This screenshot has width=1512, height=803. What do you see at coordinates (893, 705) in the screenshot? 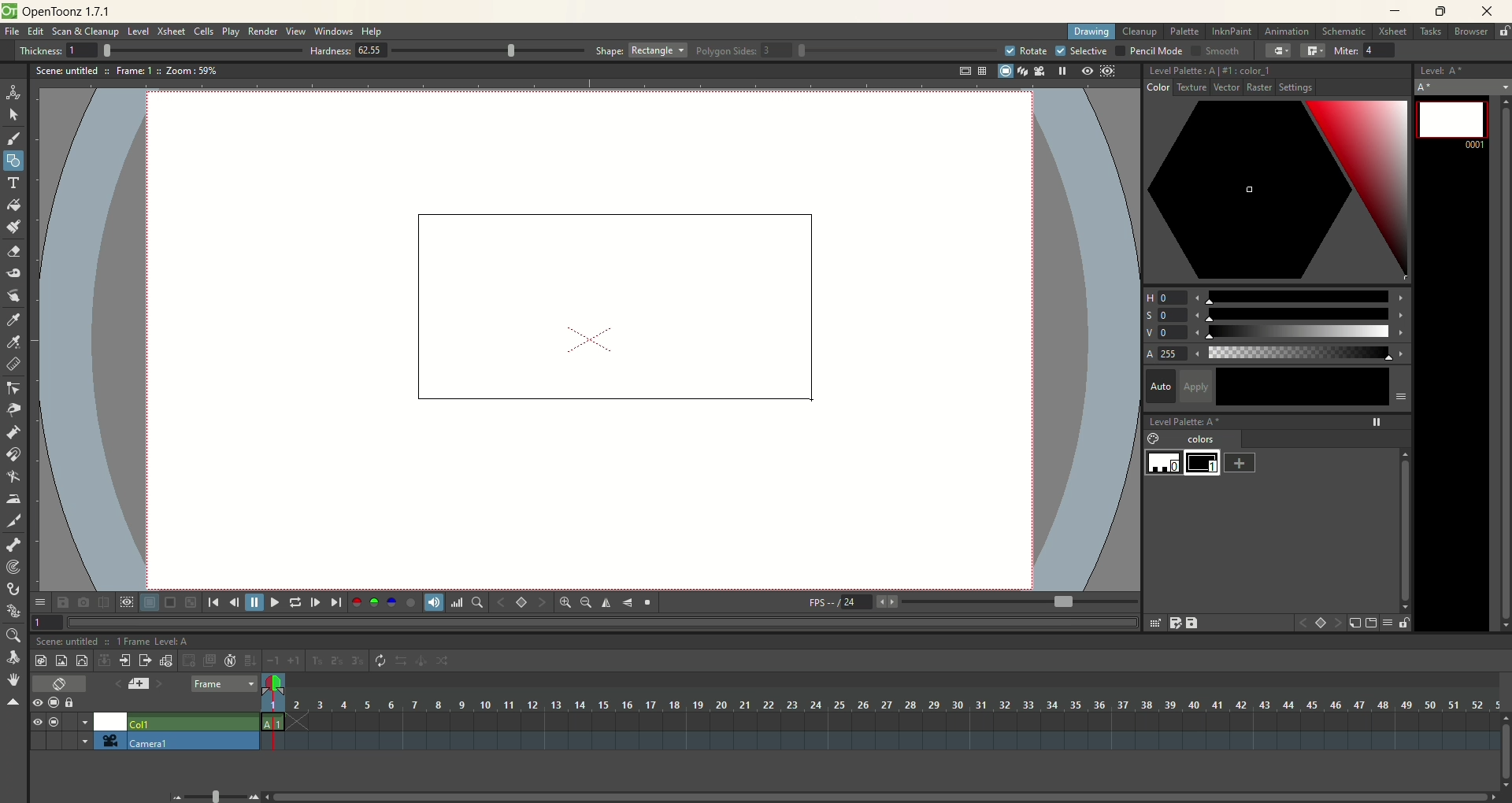
I see `Time bar` at bounding box center [893, 705].